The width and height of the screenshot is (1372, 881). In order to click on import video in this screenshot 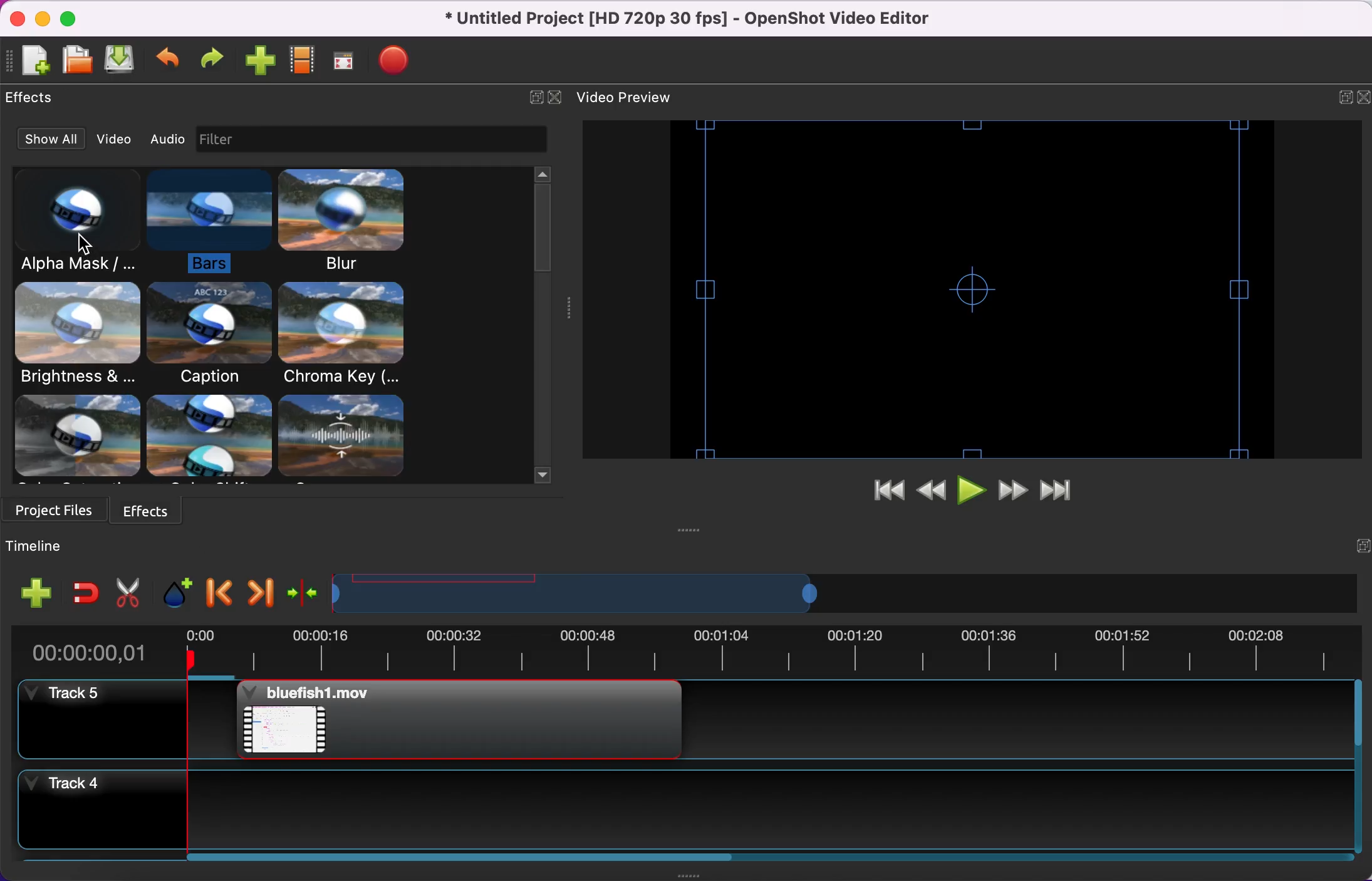, I will do `click(259, 63)`.